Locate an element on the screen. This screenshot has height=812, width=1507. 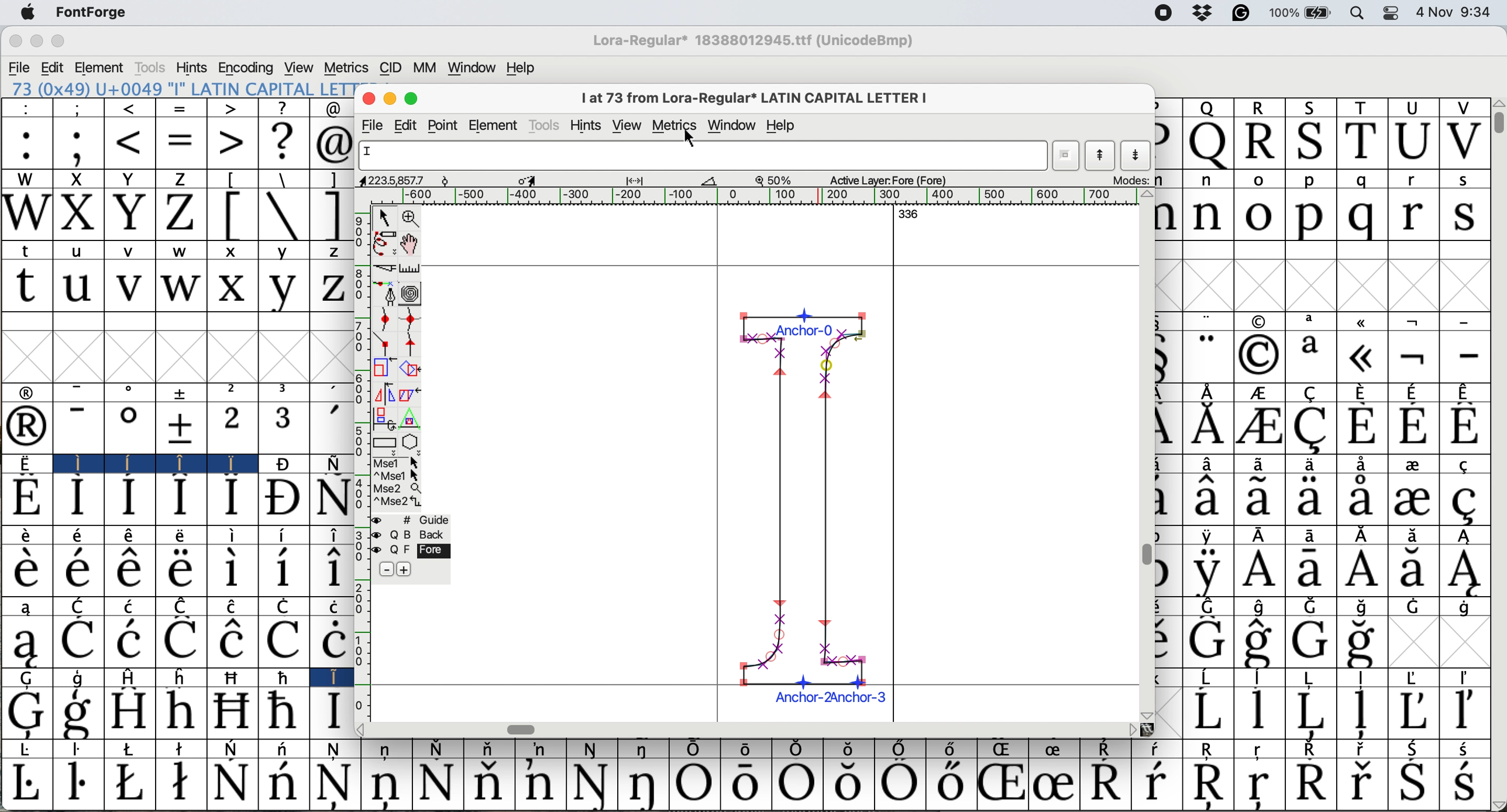
Symbol is located at coordinates (332, 498).